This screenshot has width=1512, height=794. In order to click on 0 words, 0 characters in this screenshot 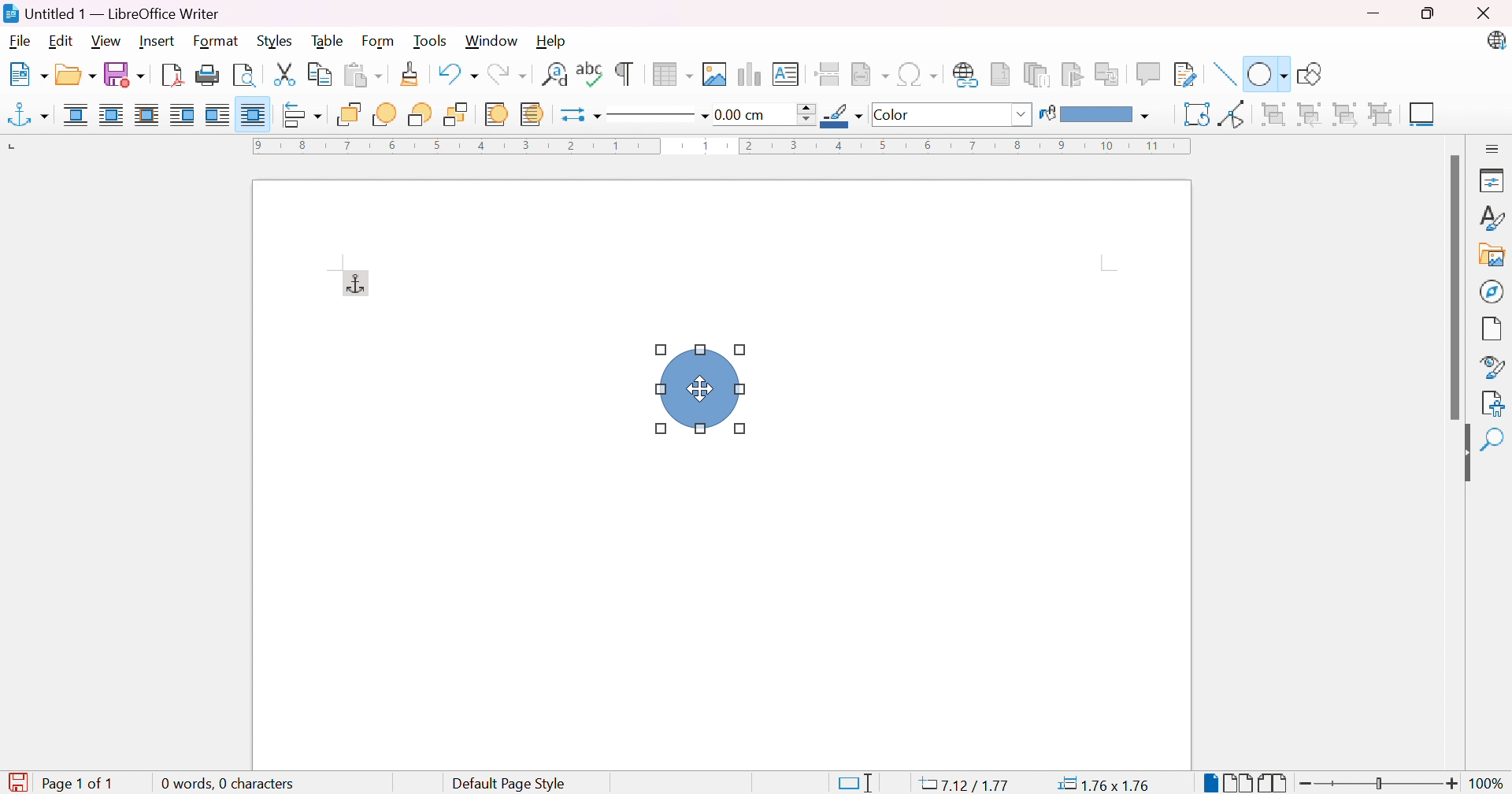, I will do `click(226, 781)`.